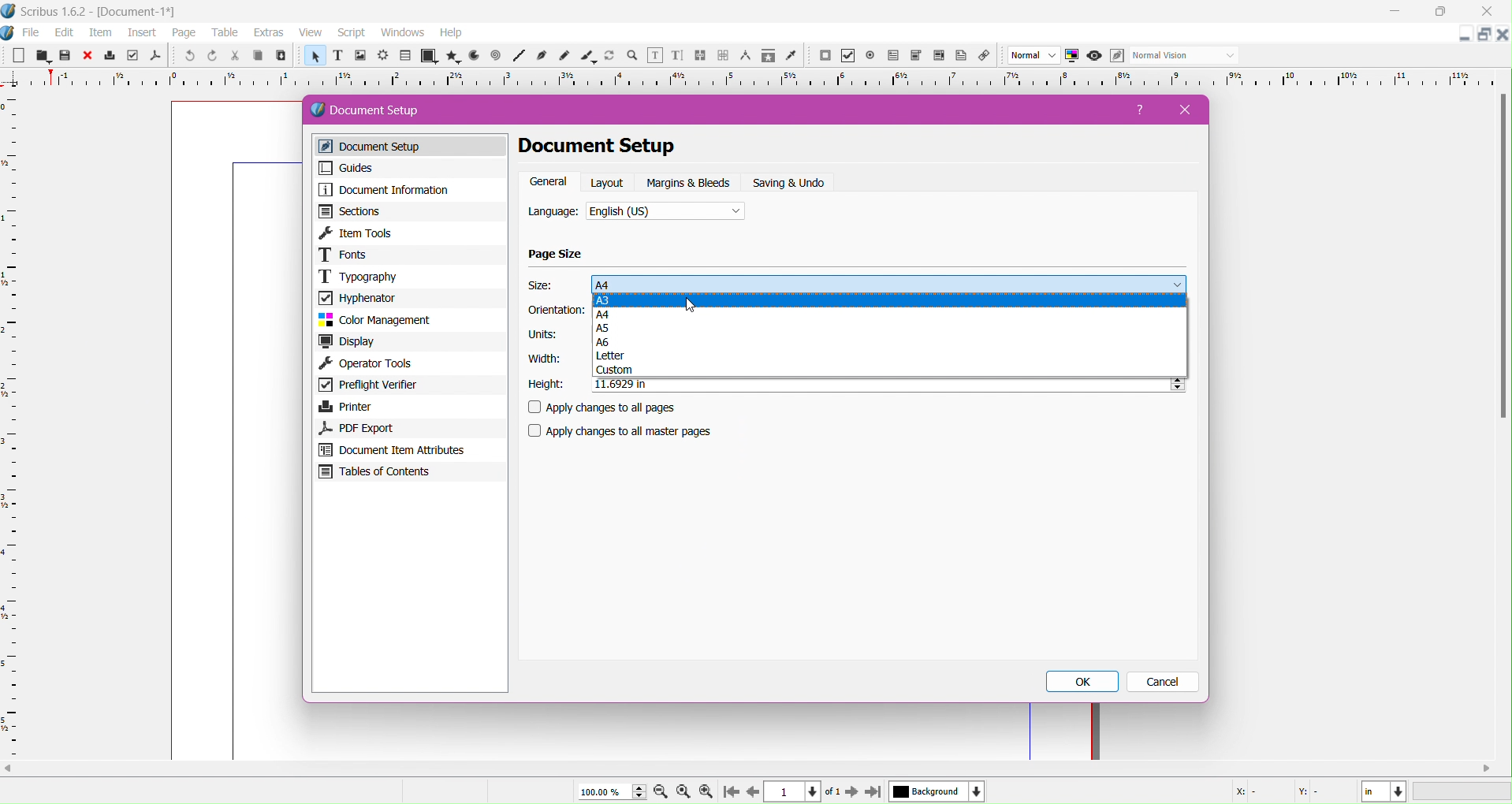 Image resolution: width=1512 pixels, height=804 pixels. Describe the element at coordinates (937, 791) in the screenshot. I see `background` at that location.